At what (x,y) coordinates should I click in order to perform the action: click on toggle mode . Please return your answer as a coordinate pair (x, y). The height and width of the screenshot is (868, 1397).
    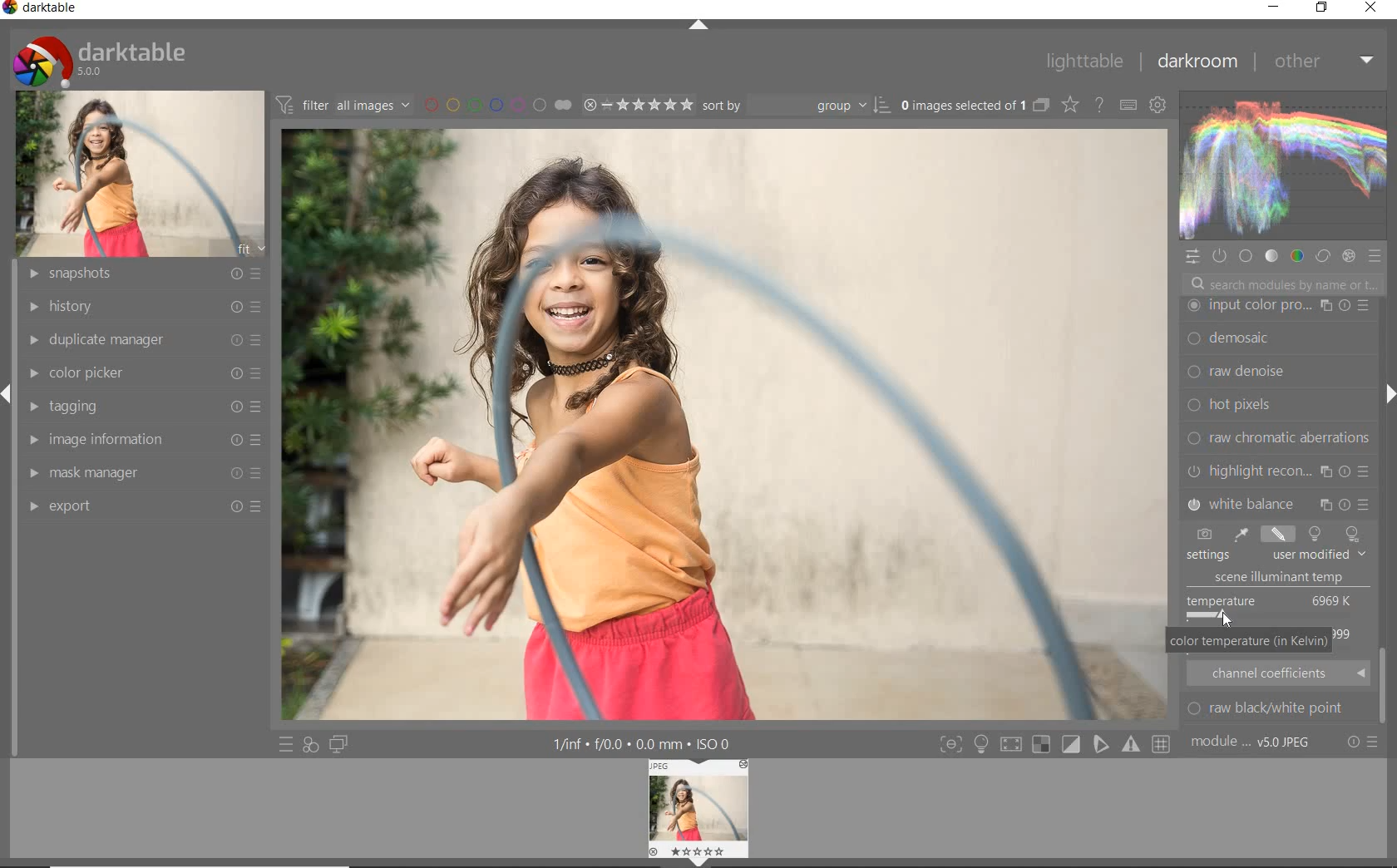
    Looking at the image, I should click on (1133, 745).